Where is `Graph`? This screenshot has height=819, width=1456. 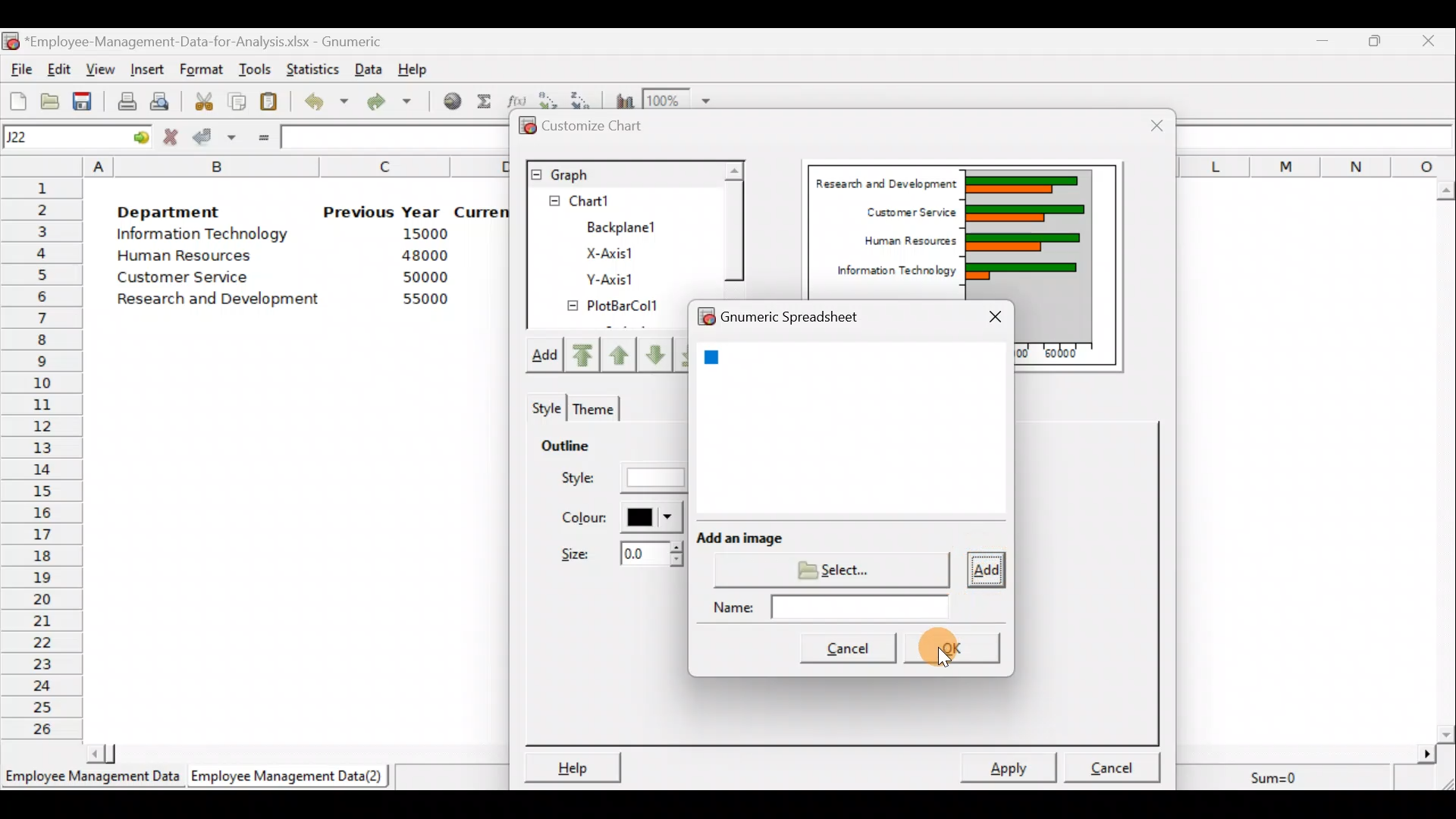
Graph is located at coordinates (623, 173).